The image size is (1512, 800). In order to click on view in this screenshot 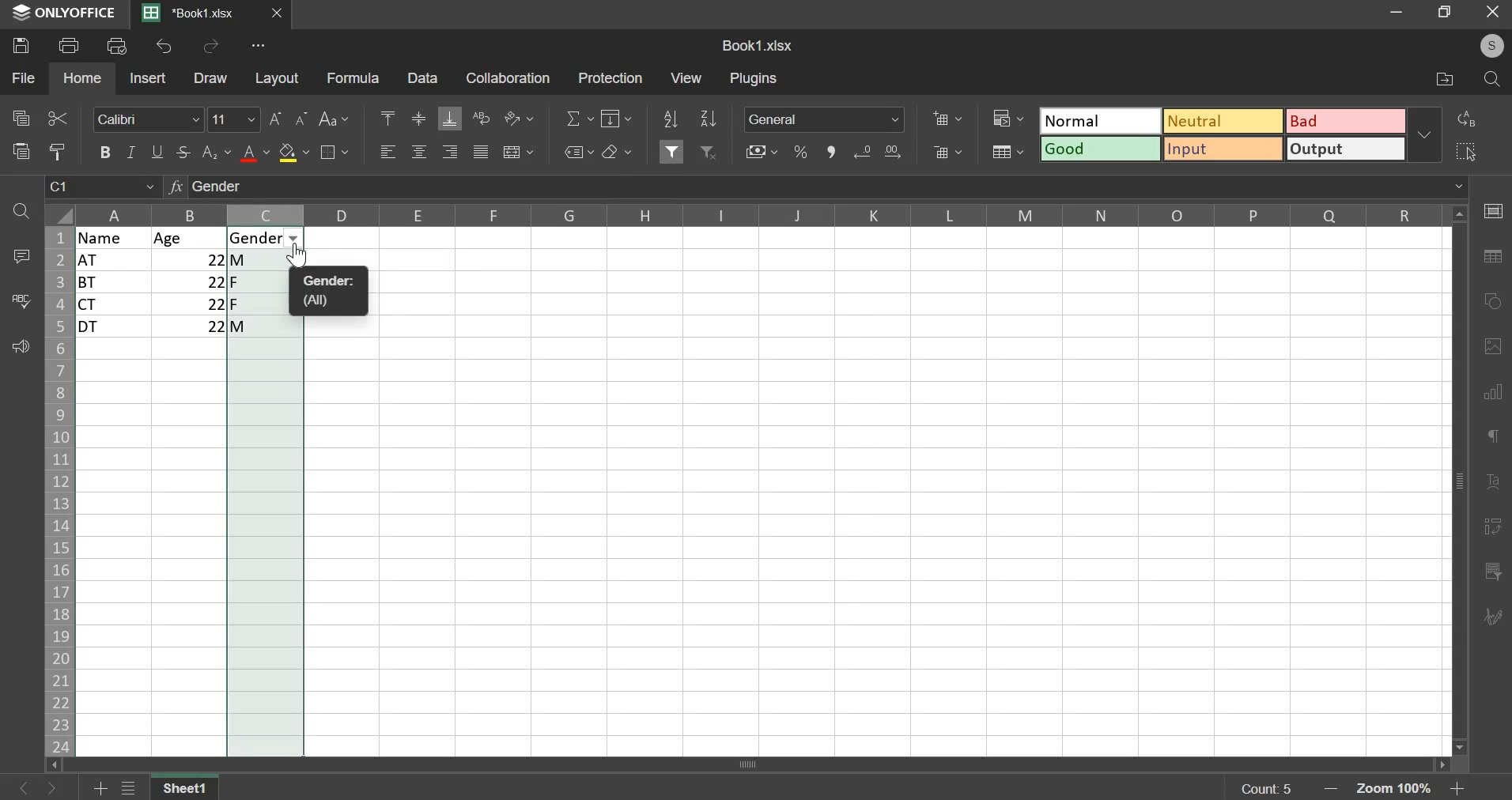, I will do `click(686, 77)`.